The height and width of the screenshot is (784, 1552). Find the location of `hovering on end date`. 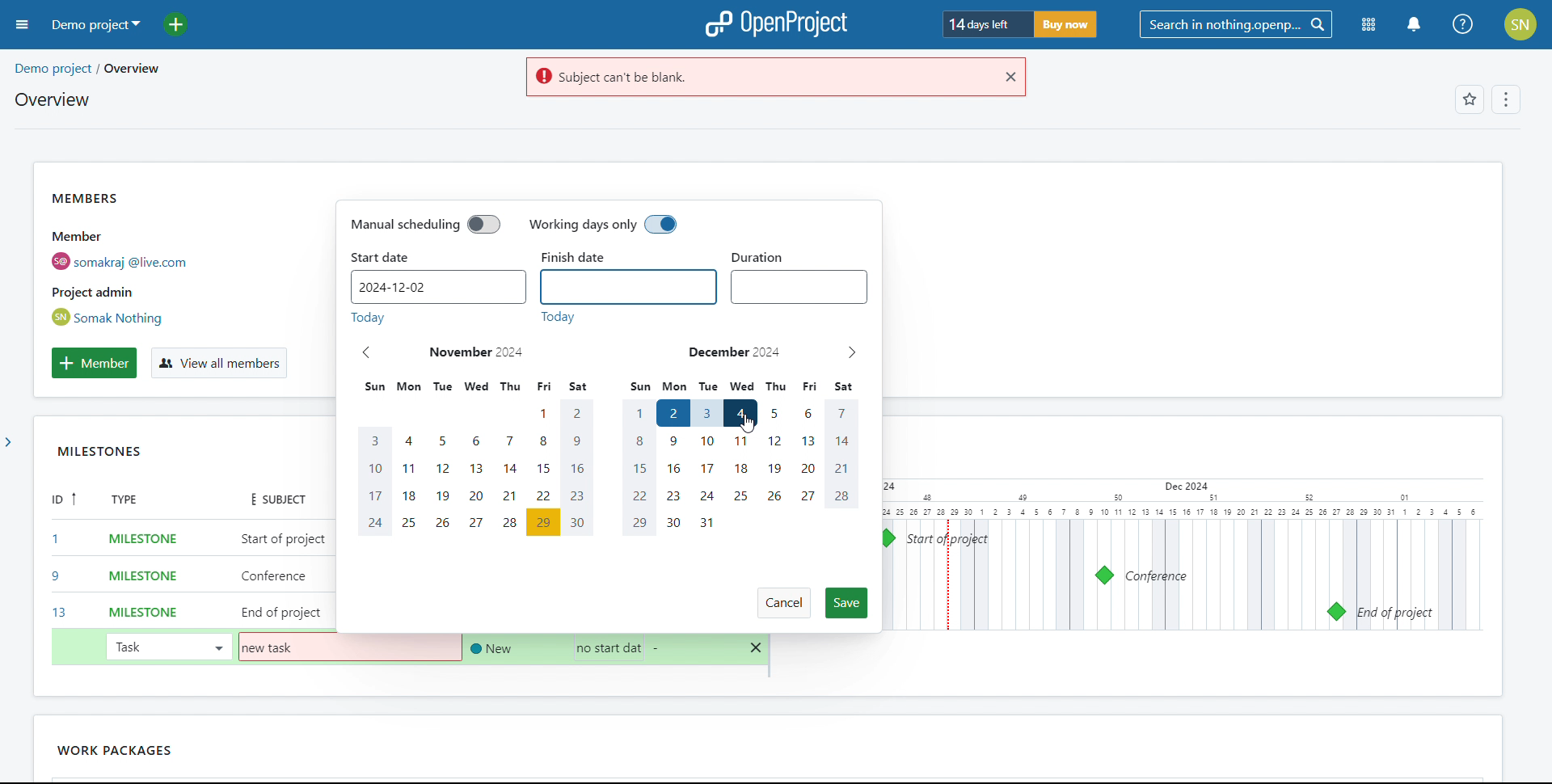

hovering on end date is located at coordinates (740, 413).